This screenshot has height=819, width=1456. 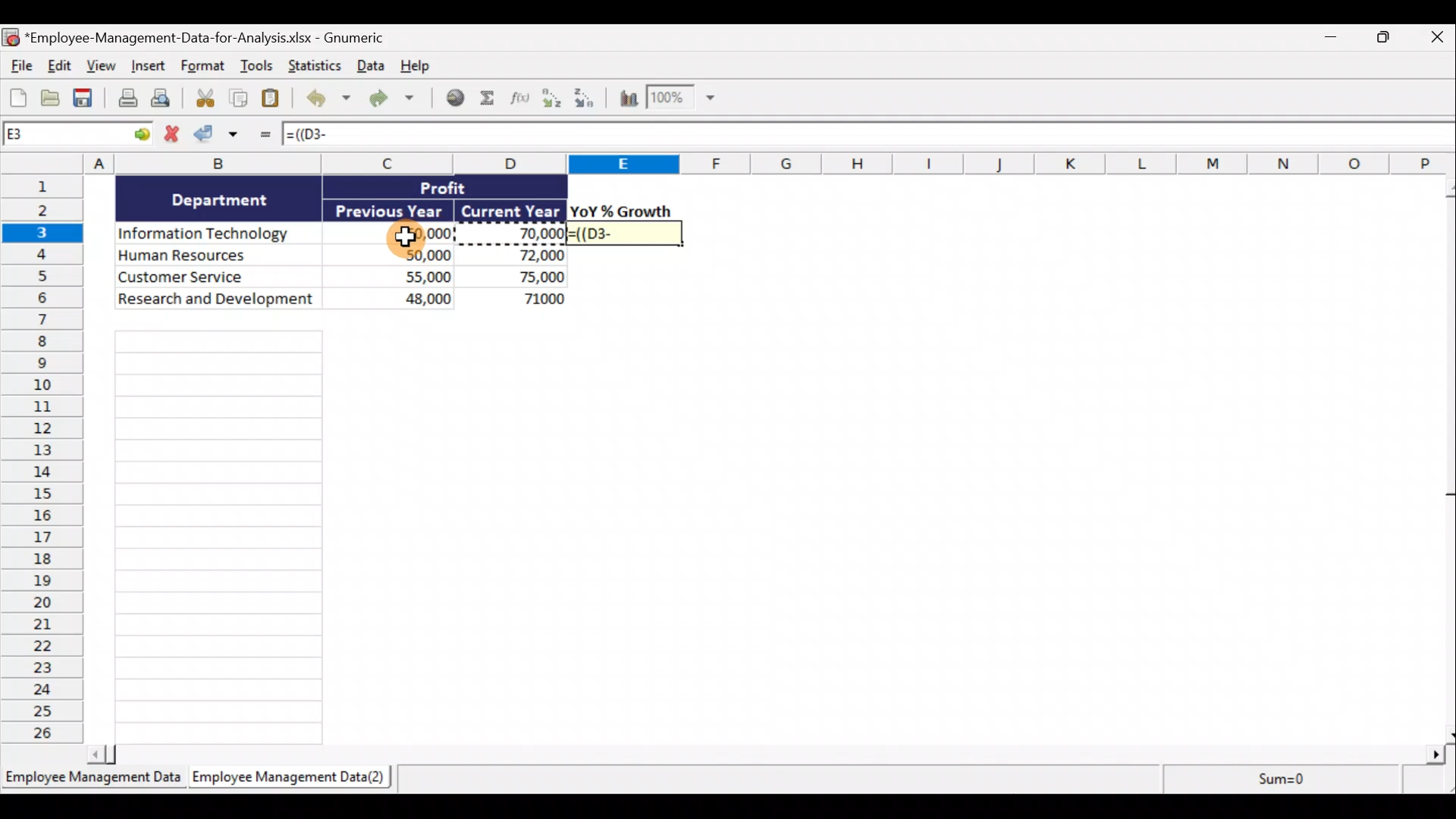 What do you see at coordinates (1437, 36) in the screenshot?
I see `Close` at bounding box center [1437, 36].